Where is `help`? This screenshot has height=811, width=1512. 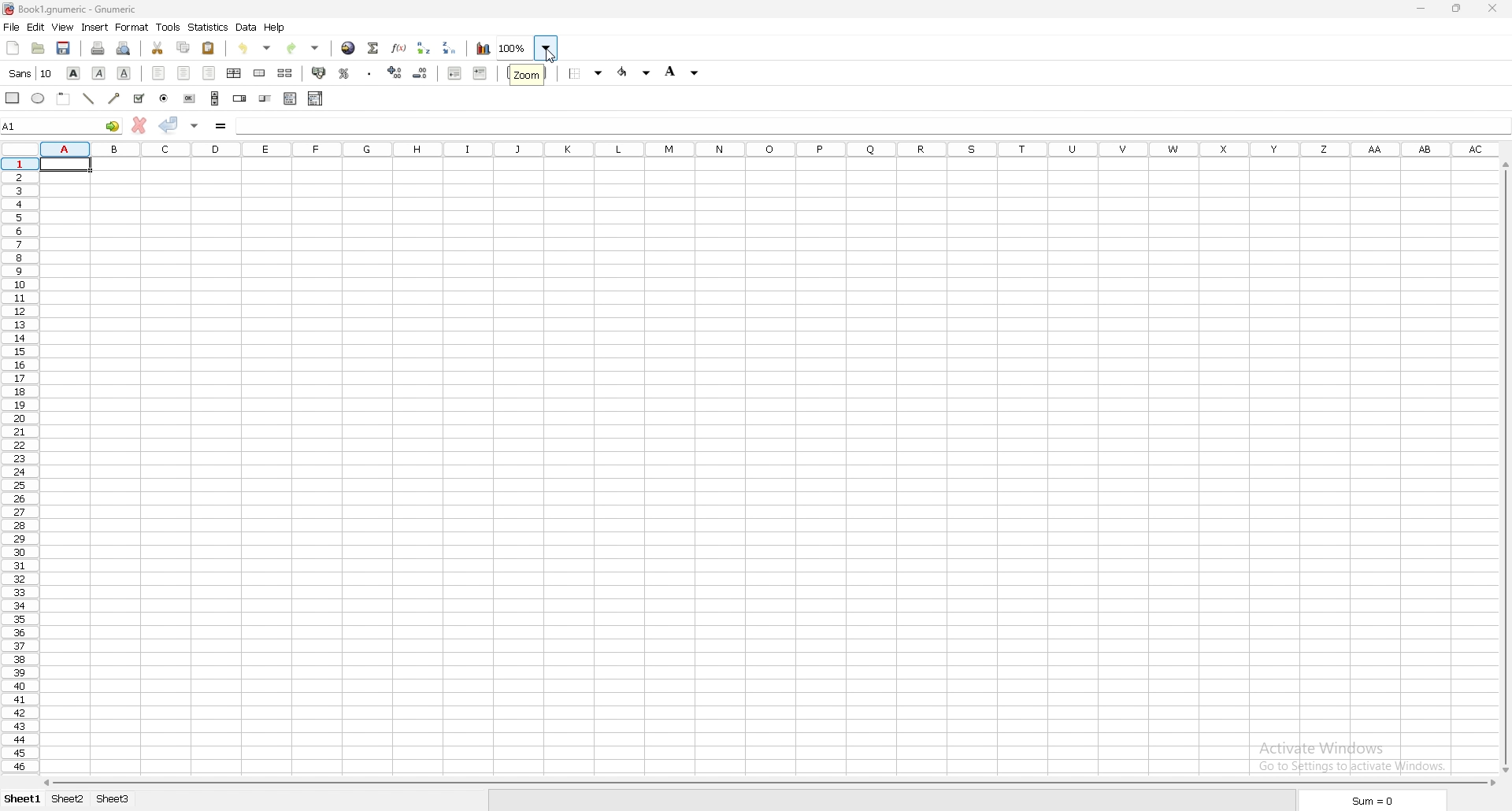 help is located at coordinates (276, 28).